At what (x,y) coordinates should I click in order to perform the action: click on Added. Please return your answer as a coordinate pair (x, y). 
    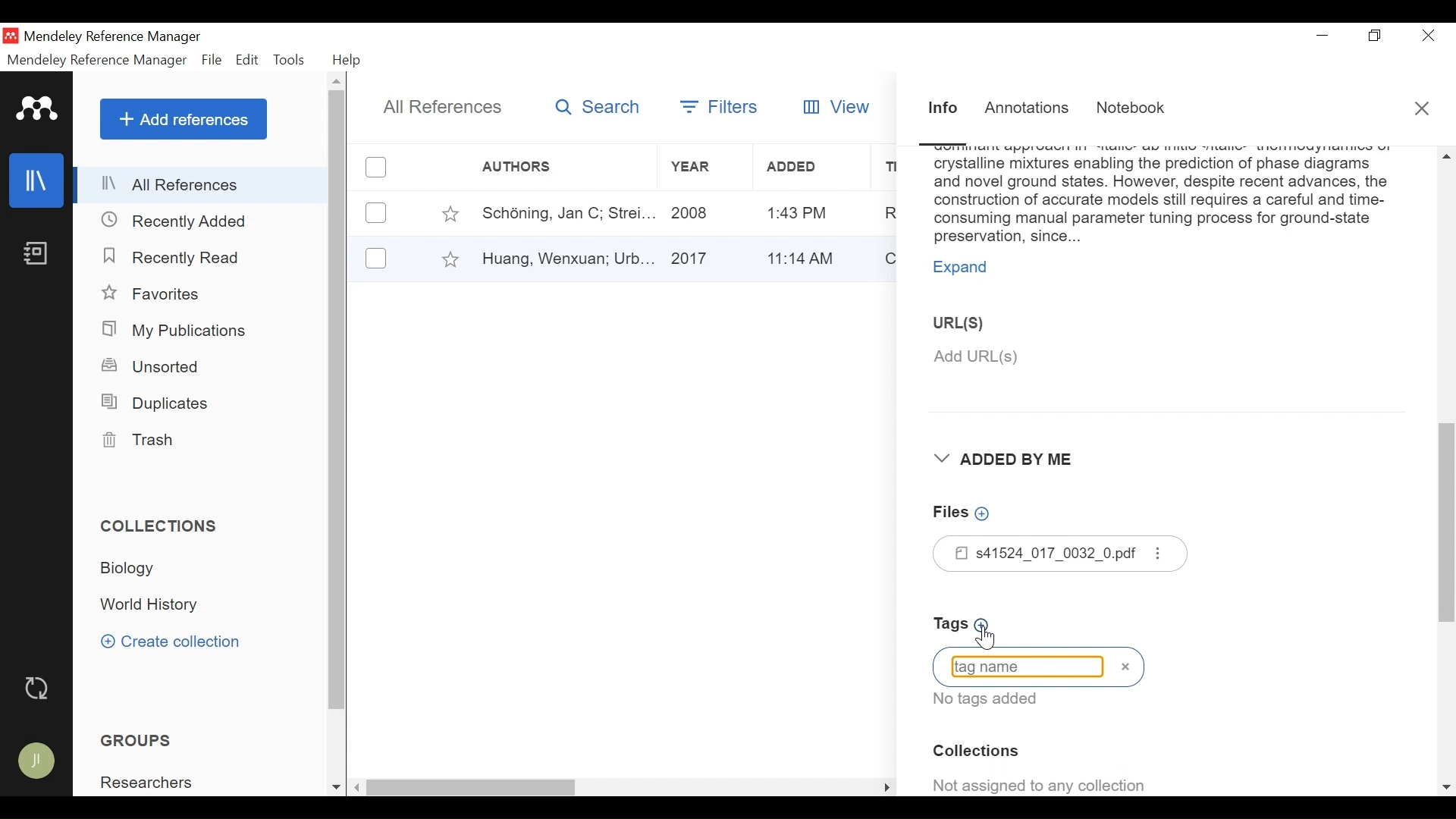
    Looking at the image, I should click on (808, 212).